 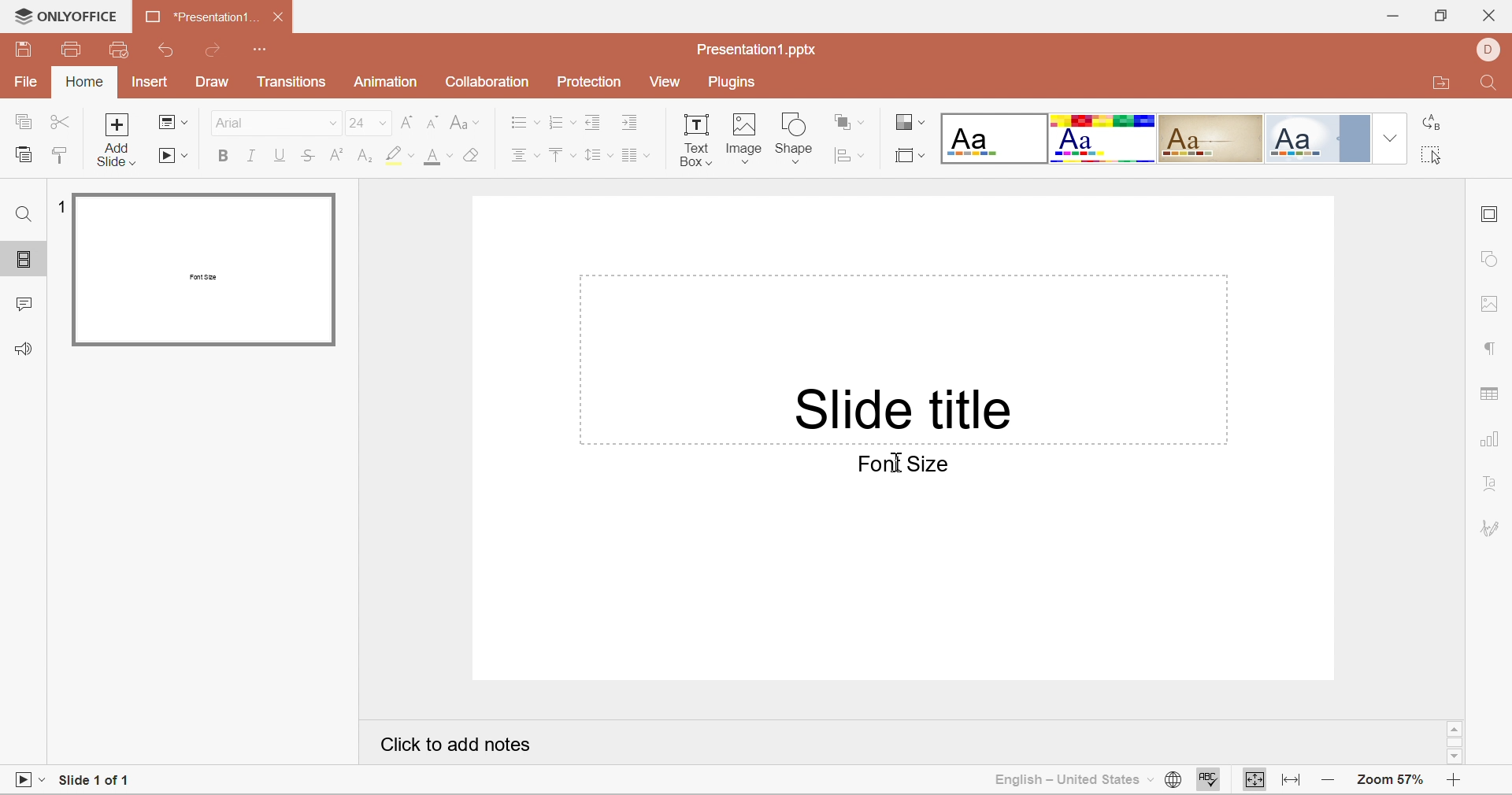 I want to click on Change case, so click(x=465, y=124).